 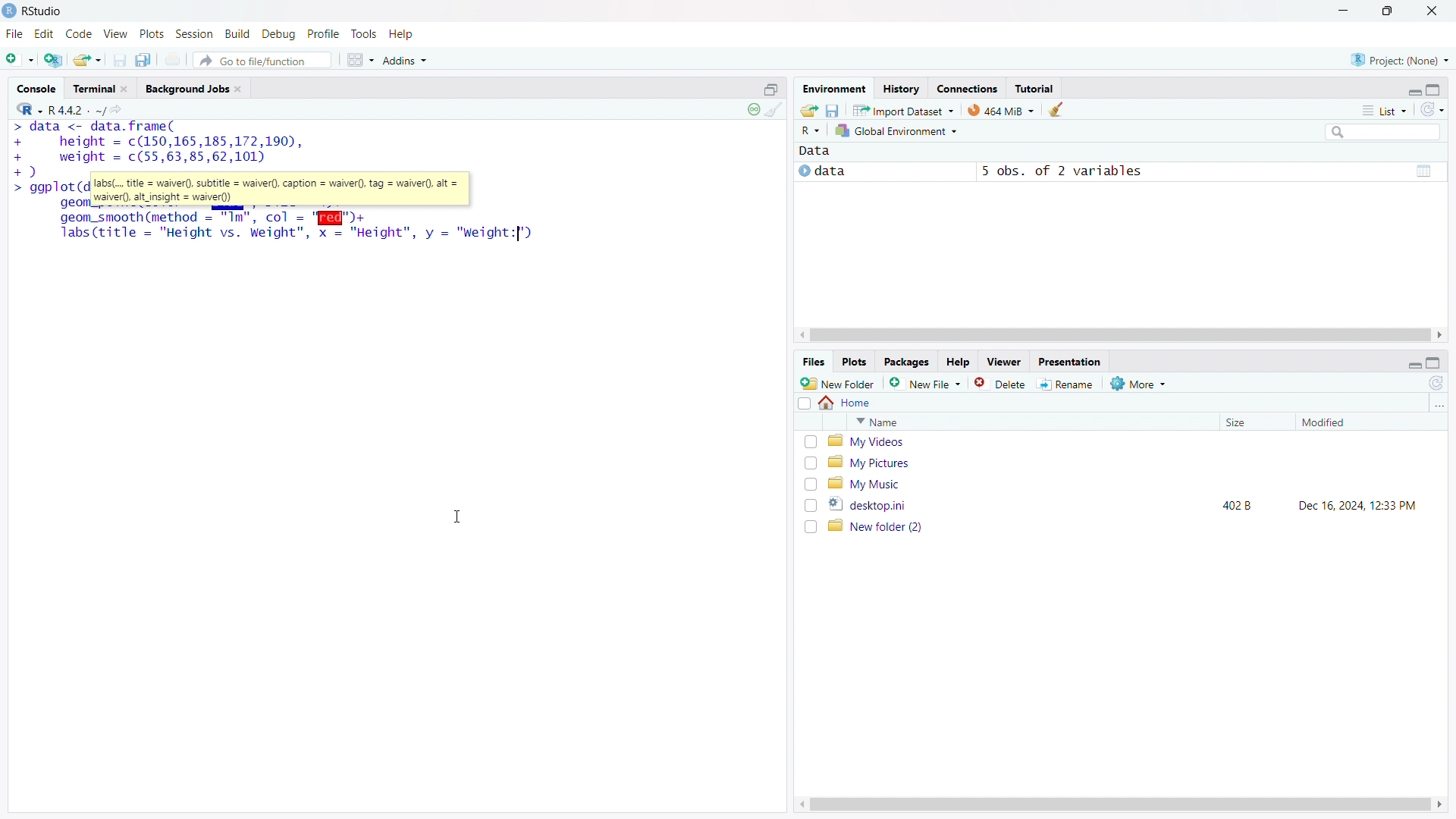 What do you see at coordinates (1071, 361) in the screenshot?
I see `presentation` at bounding box center [1071, 361].